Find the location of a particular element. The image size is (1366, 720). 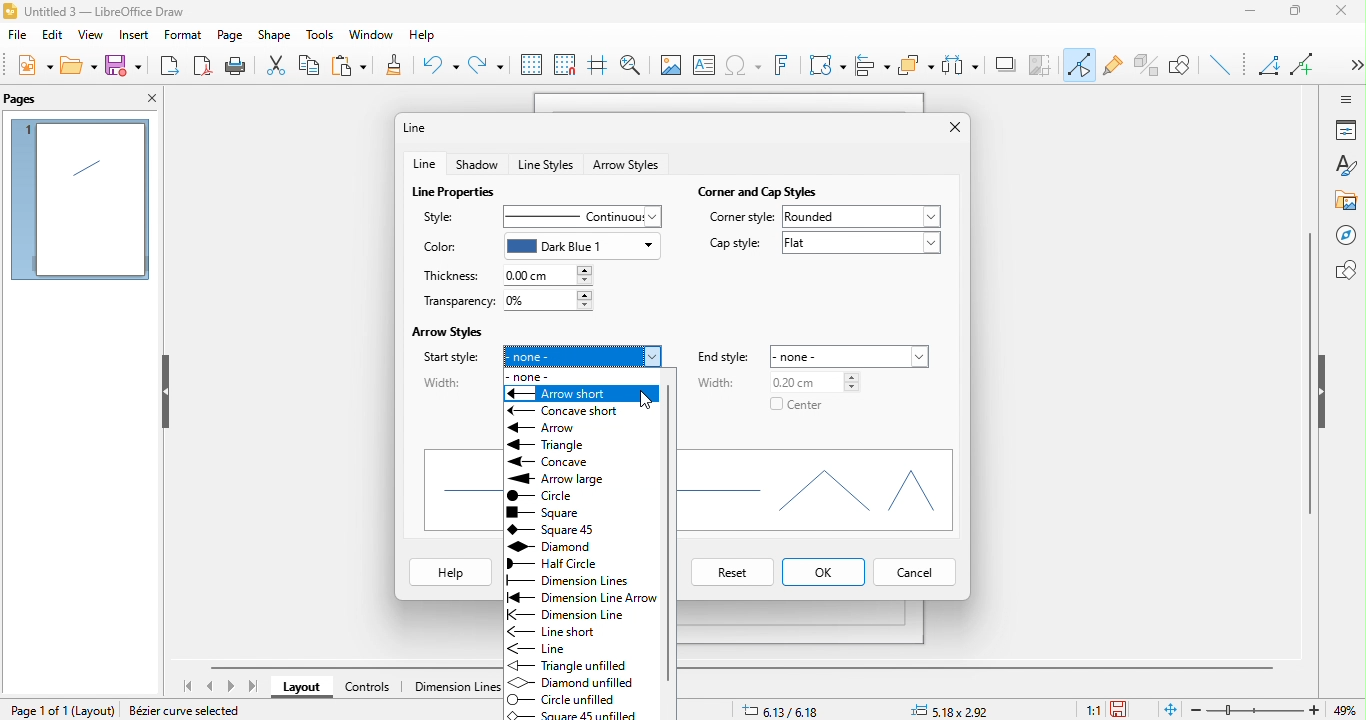

width is located at coordinates (444, 382).